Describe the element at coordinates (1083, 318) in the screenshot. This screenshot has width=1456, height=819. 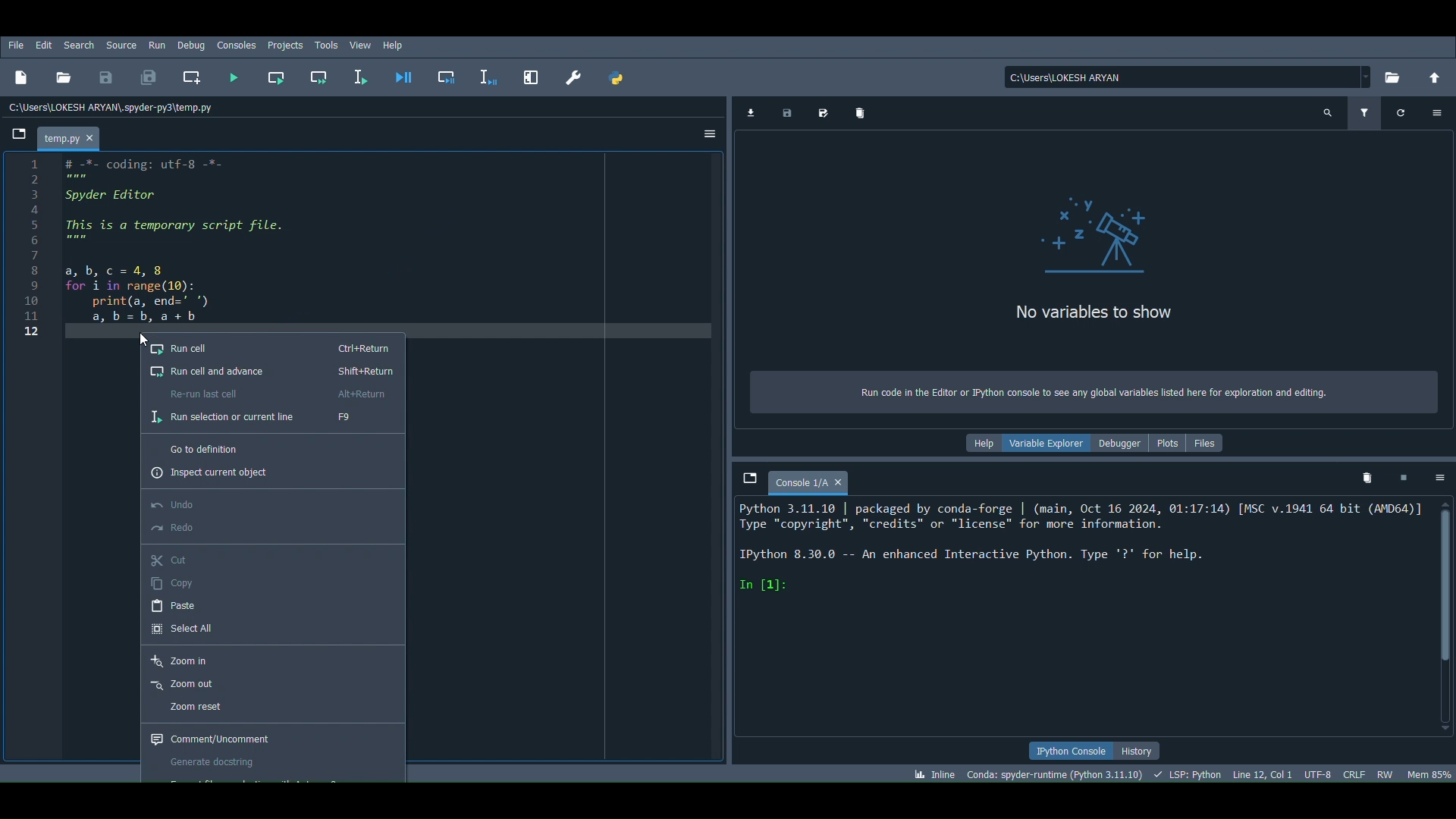
I see `no Variables to show` at that location.